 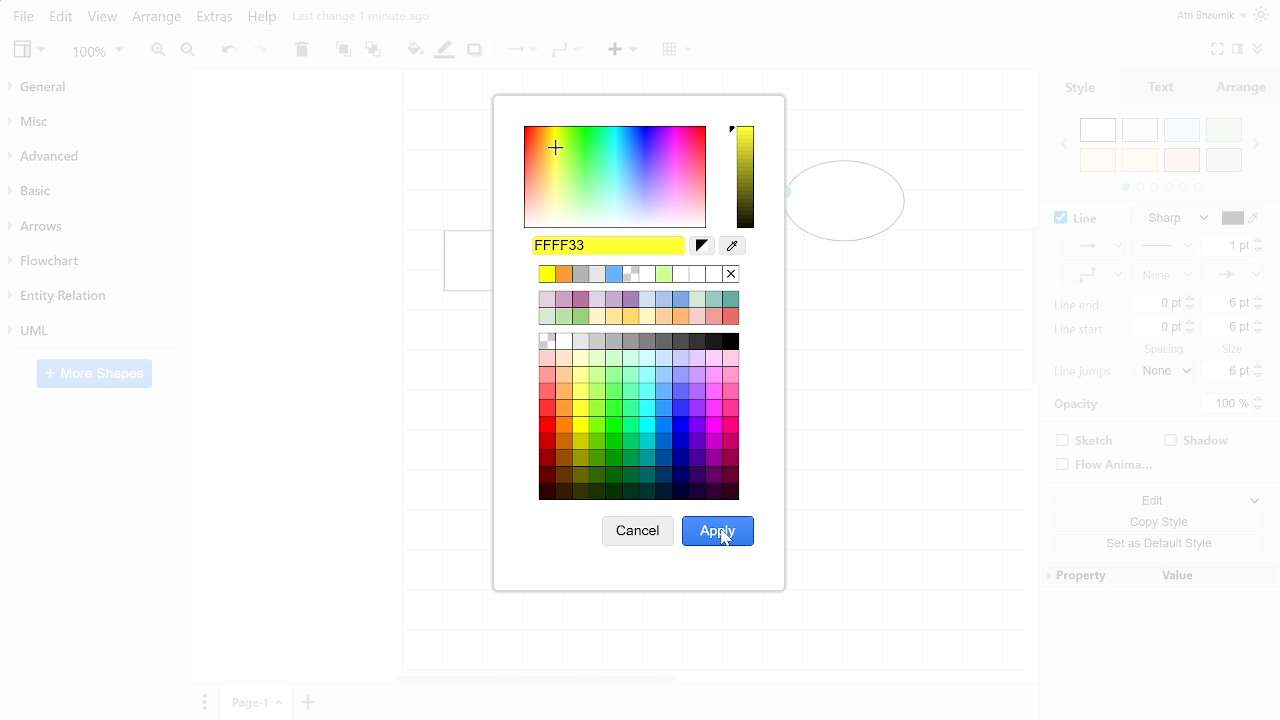 I want to click on Color spectrum, so click(x=614, y=176).